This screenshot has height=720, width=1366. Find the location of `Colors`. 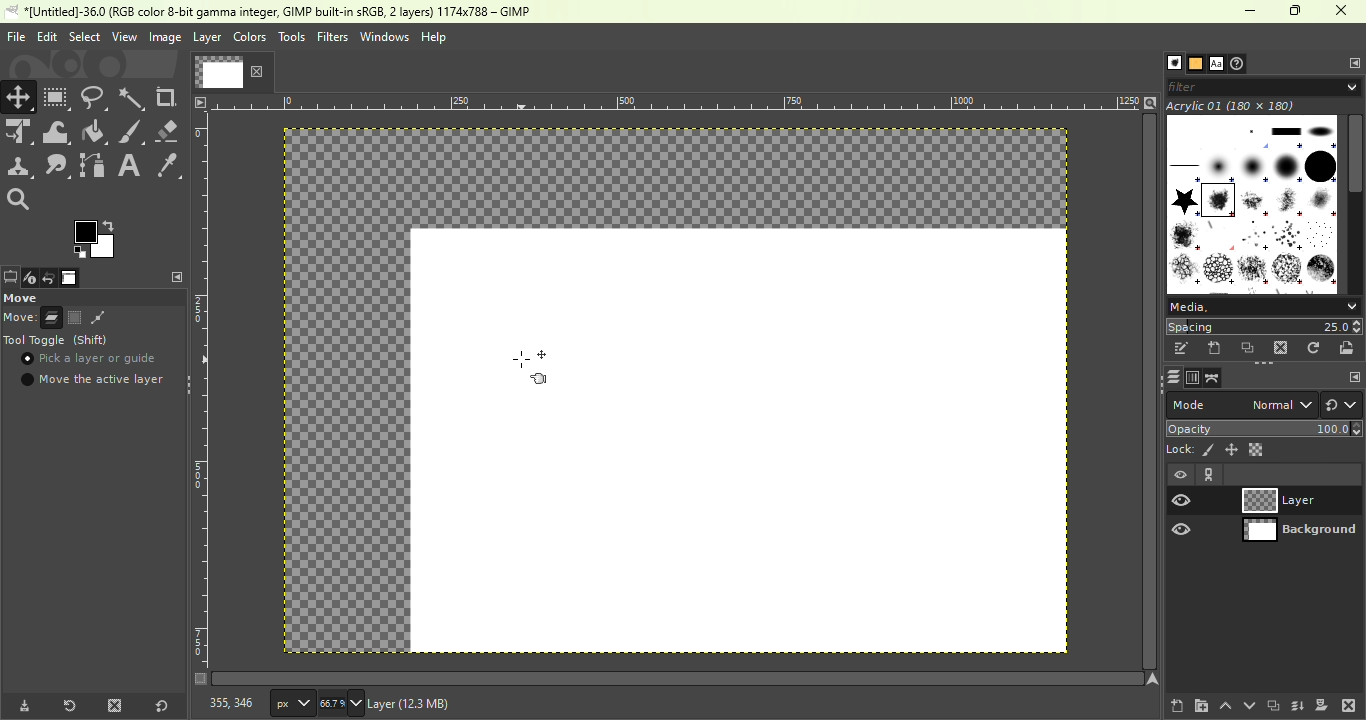

Colors is located at coordinates (250, 36).